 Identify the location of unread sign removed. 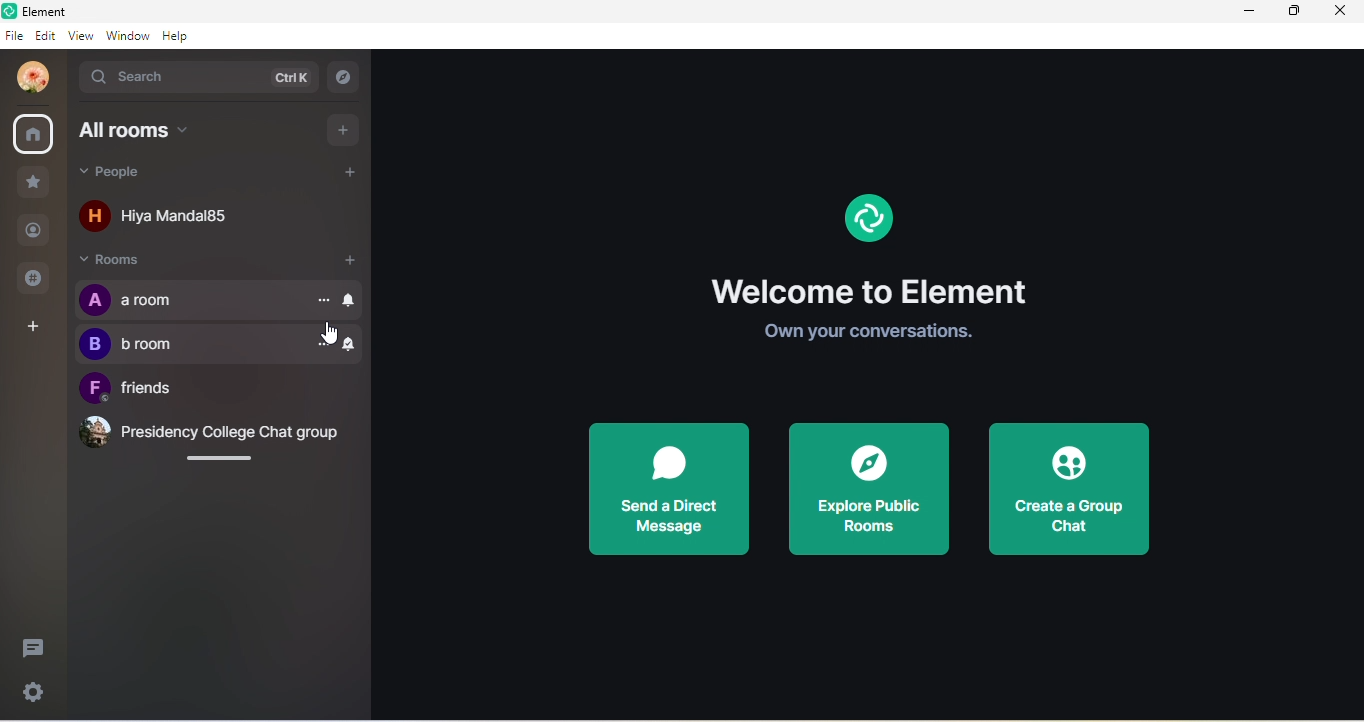
(191, 385).